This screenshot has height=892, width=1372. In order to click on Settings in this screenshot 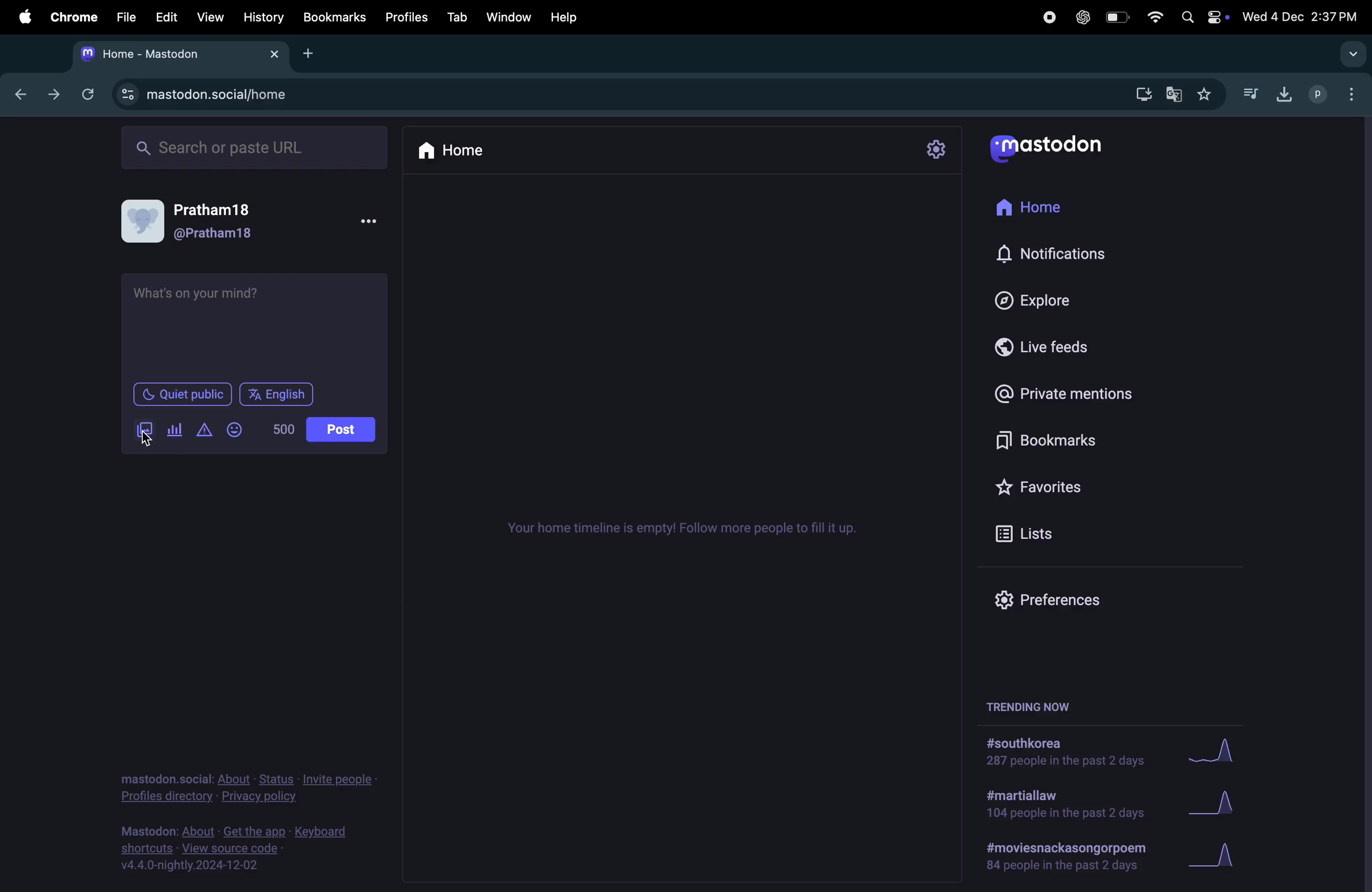, I will do `click(936, 150)`.